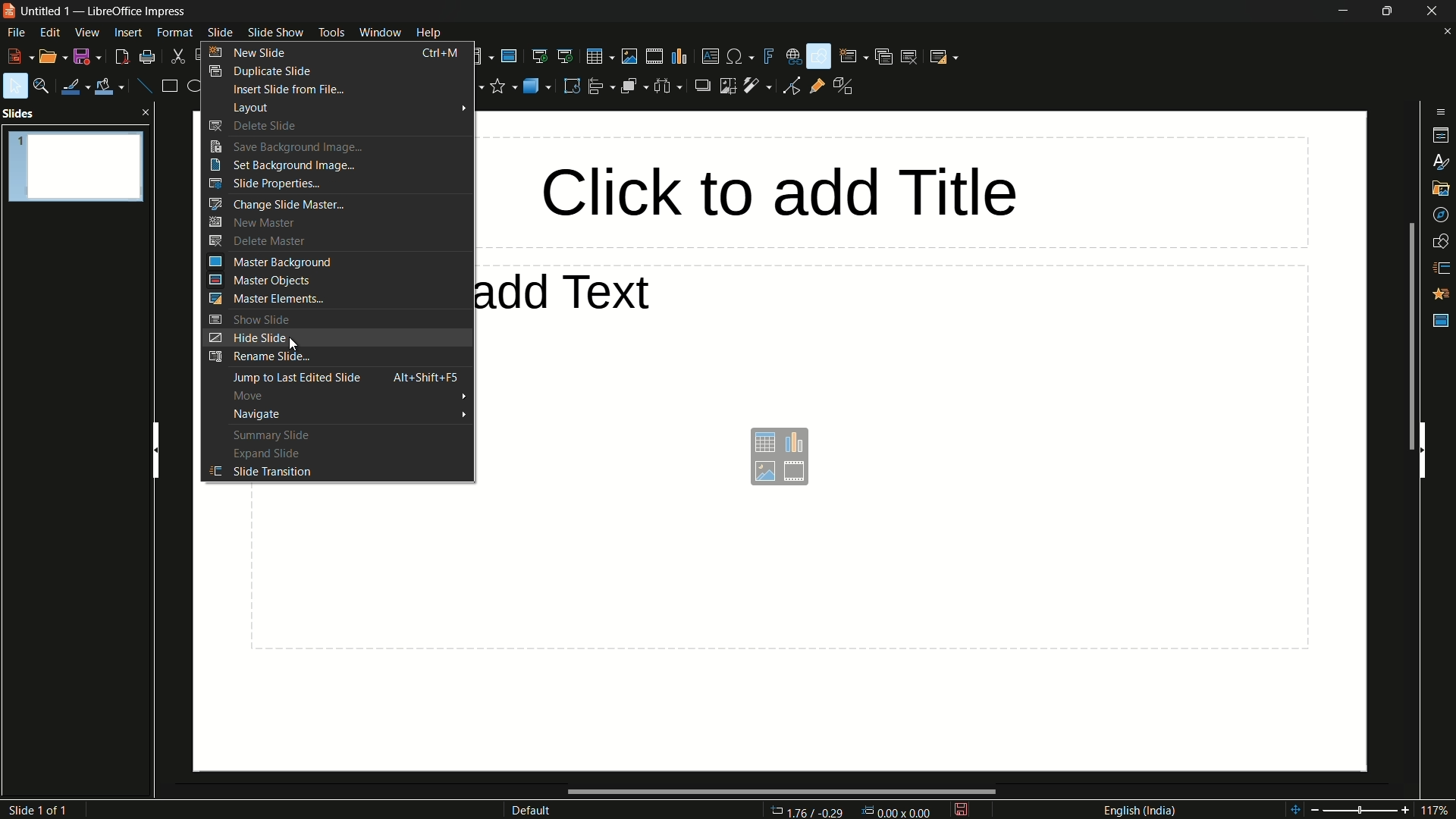 The width and height of the screenshot is (1456, 819). Describe the element at coordinates (143, 88) in the screenshot. I see `insert line` at that location.